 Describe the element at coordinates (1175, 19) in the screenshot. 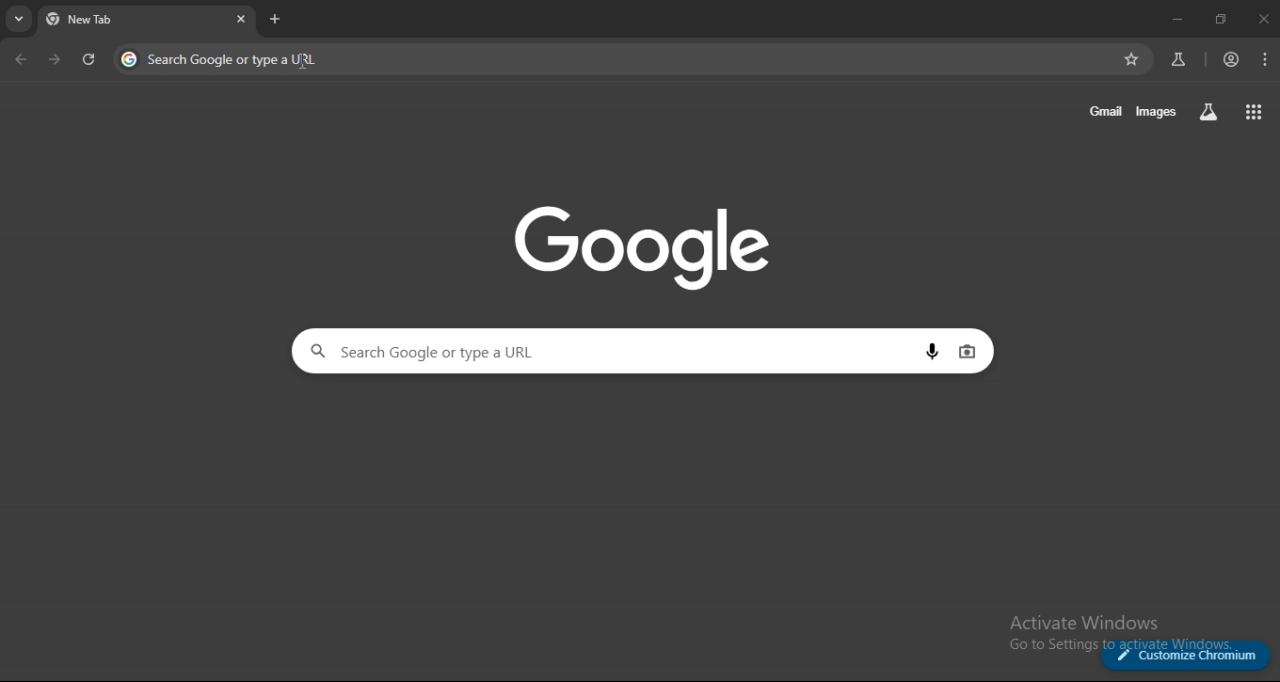

I see `minimize` at that location.